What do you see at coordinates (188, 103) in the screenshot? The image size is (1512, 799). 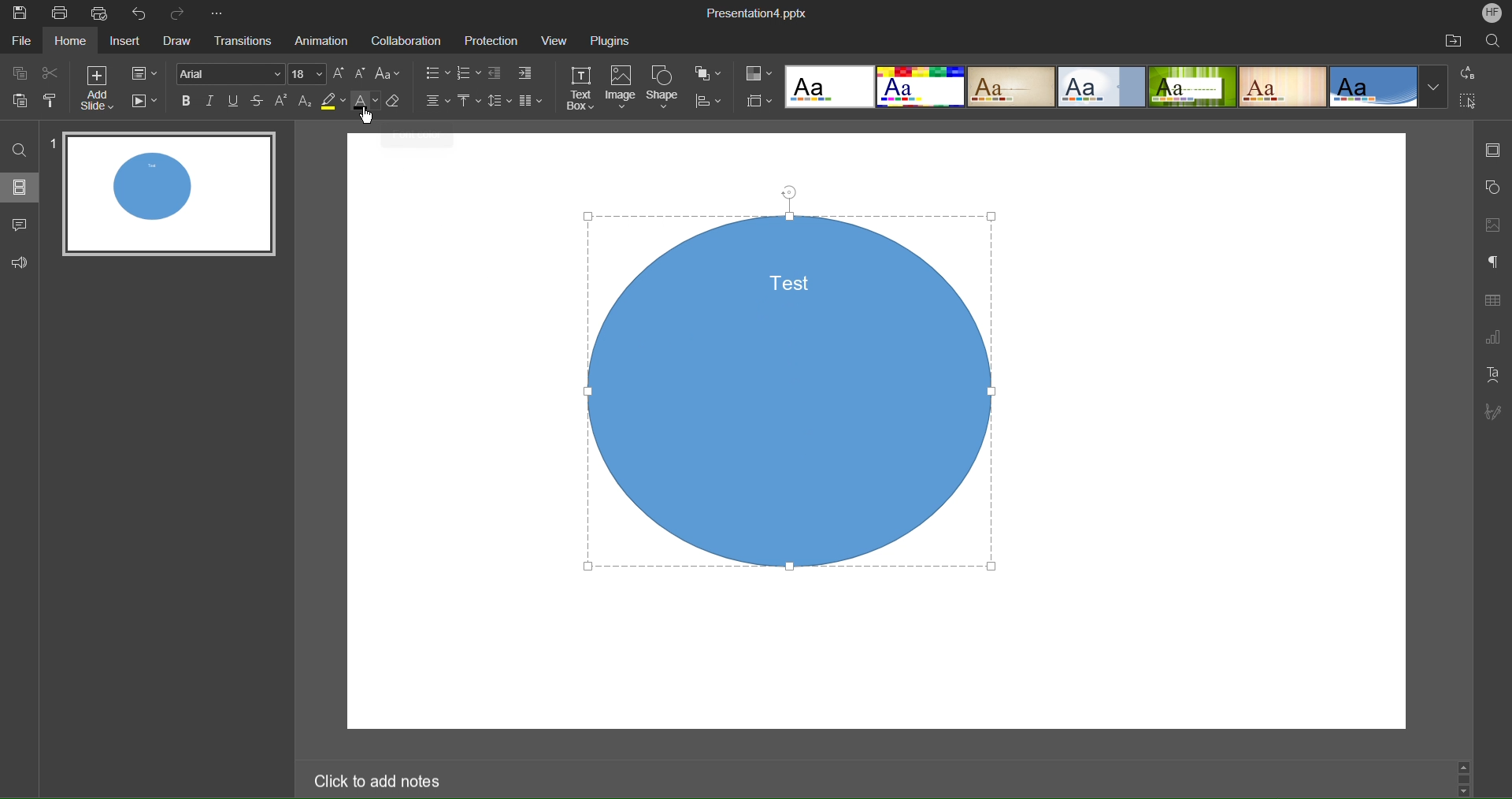 I see `Bold` at bounding box center [188, 103].